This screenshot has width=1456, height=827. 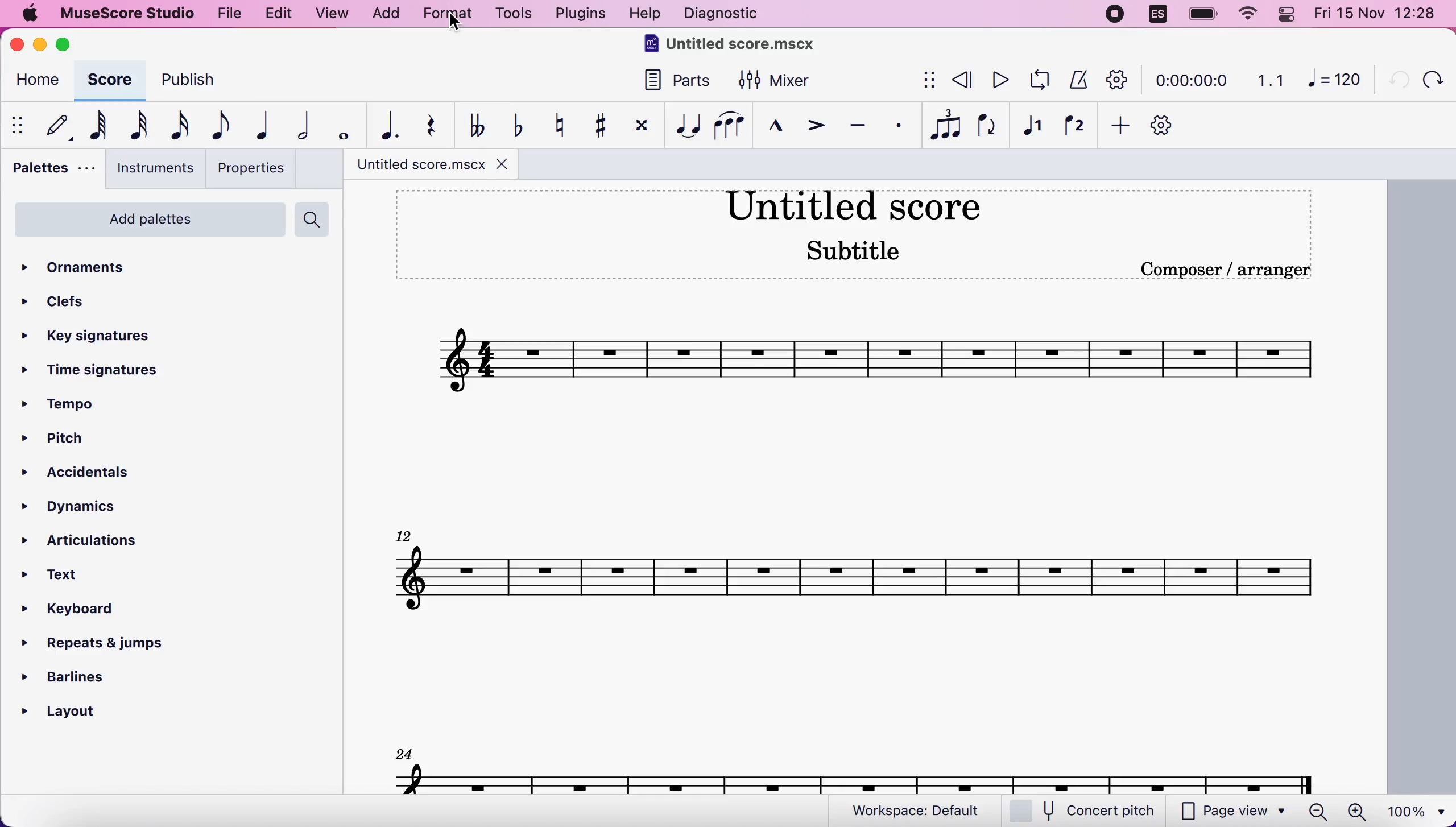 I want to click on close, so click(x=20, y=46).